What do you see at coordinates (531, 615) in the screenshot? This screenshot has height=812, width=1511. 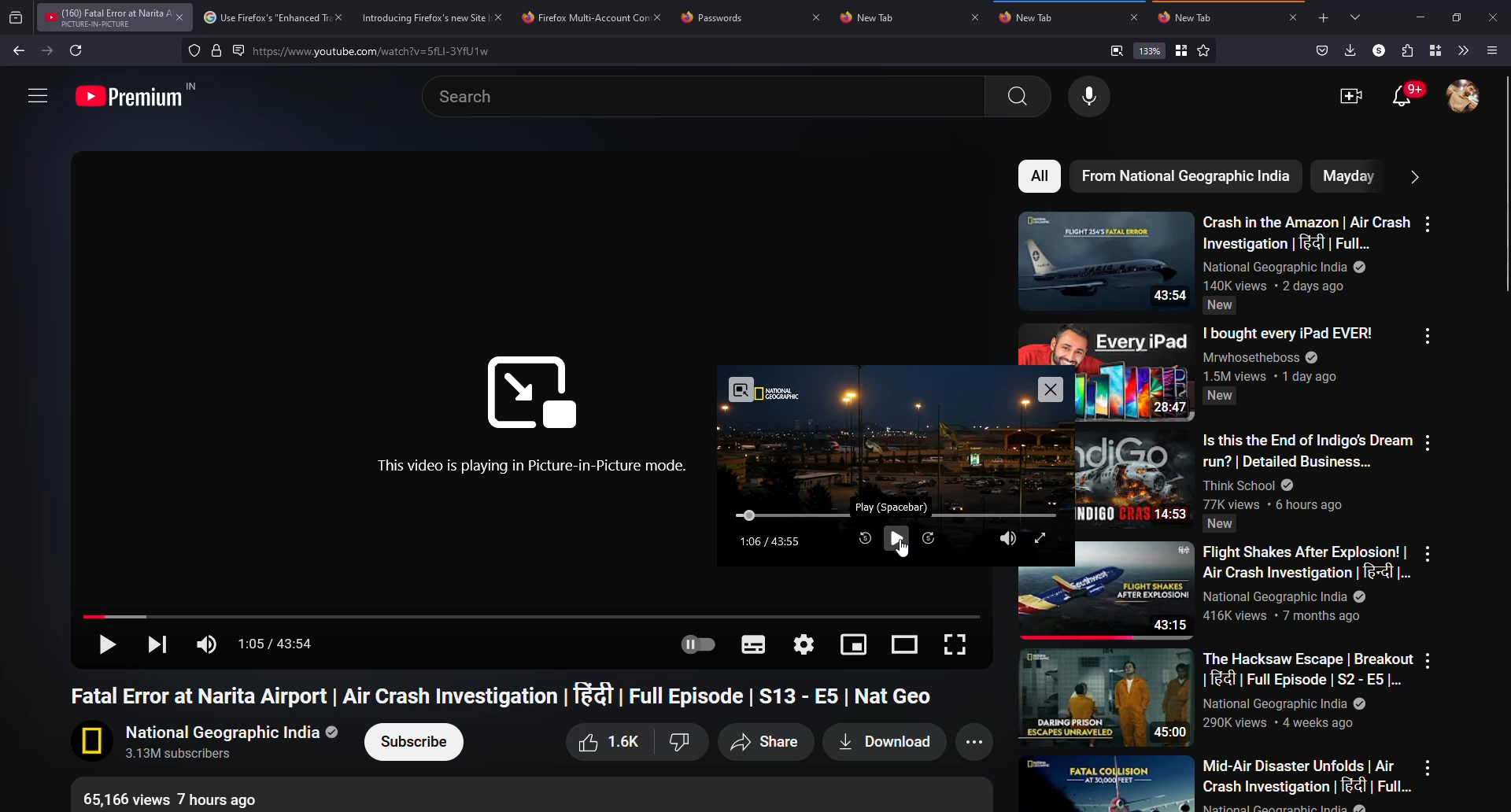 I see `move` at bounding box center [531, 615].